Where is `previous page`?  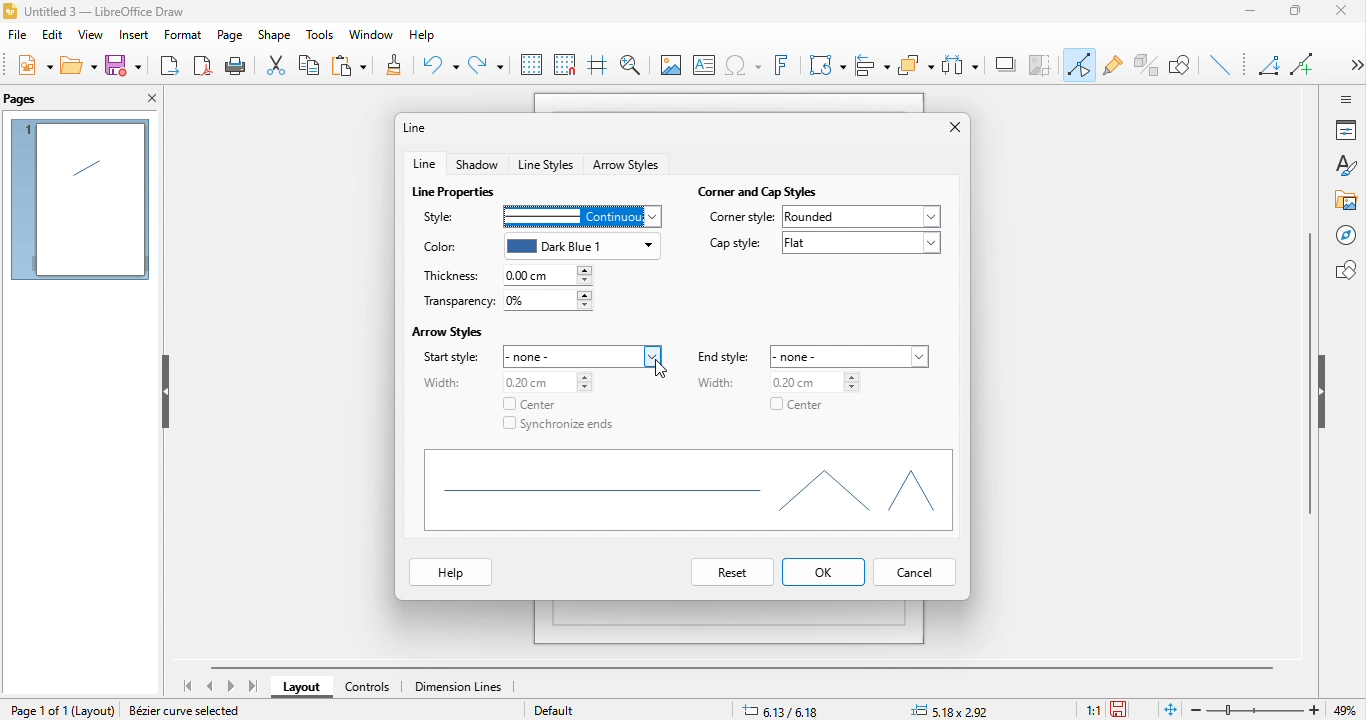 previous page is located at coordinates (212, 684).